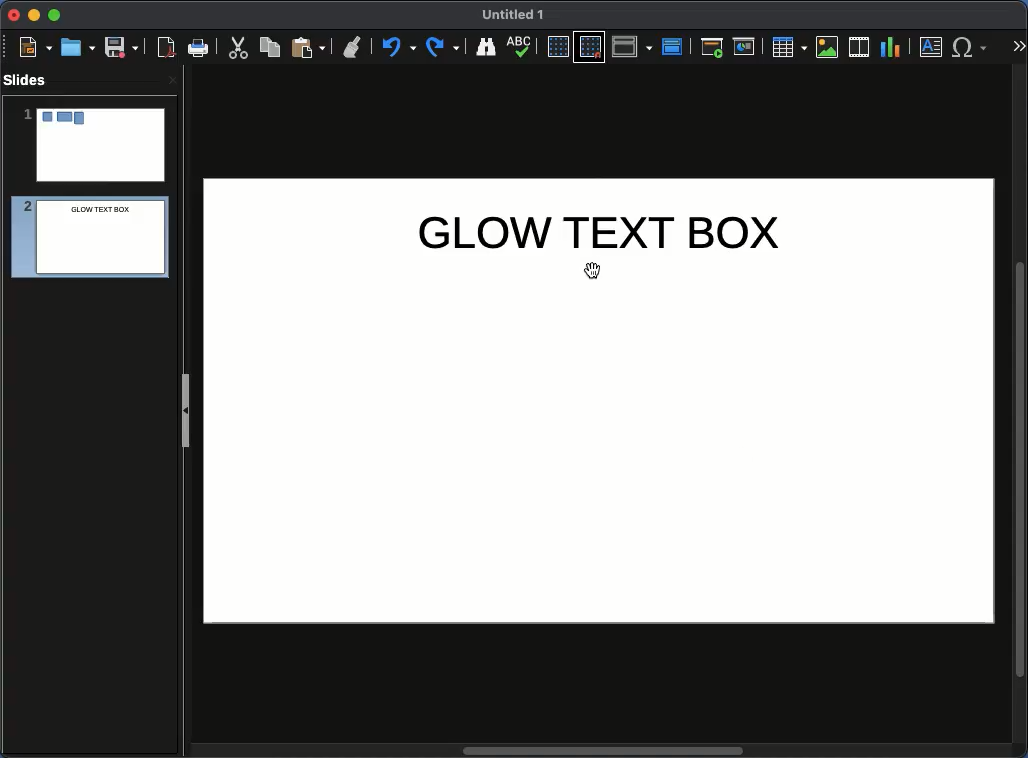  I want to click on Scroll, so click(1022, 413).